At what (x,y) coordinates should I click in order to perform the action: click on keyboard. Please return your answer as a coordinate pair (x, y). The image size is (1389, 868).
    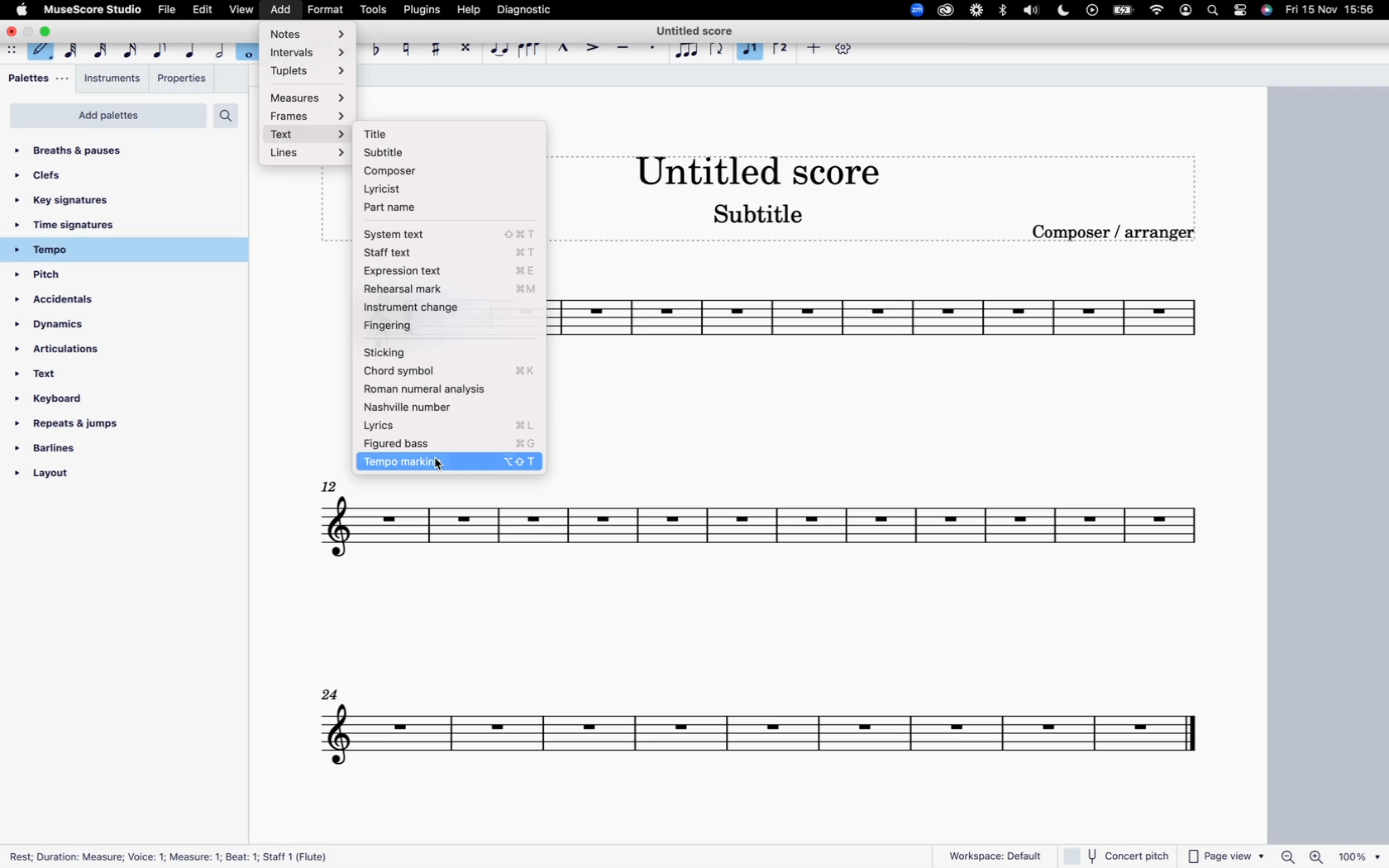
    Looking at the image, I should click on (83, 400).